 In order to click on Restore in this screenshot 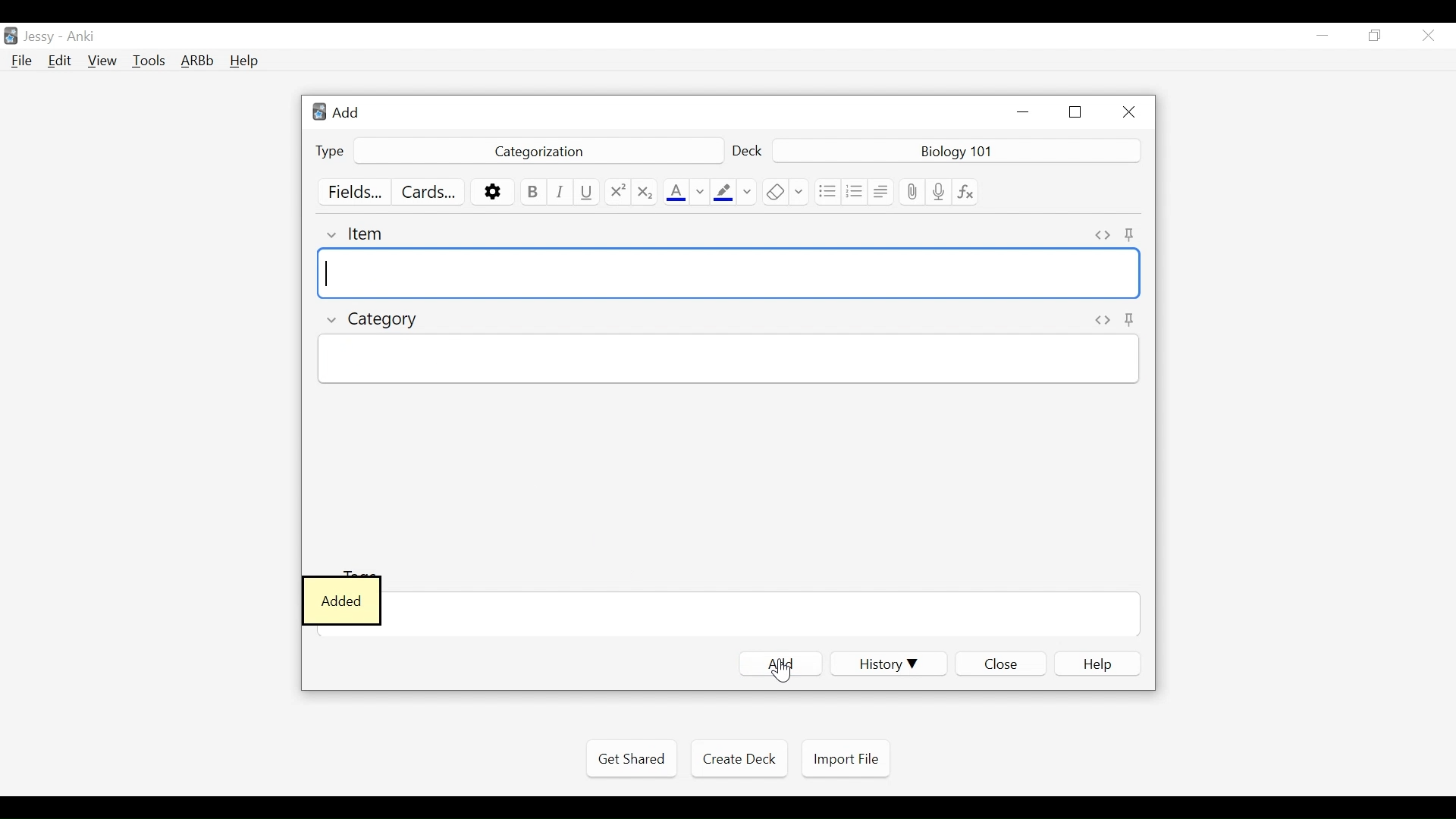, I will do `click(1376, 36)`.